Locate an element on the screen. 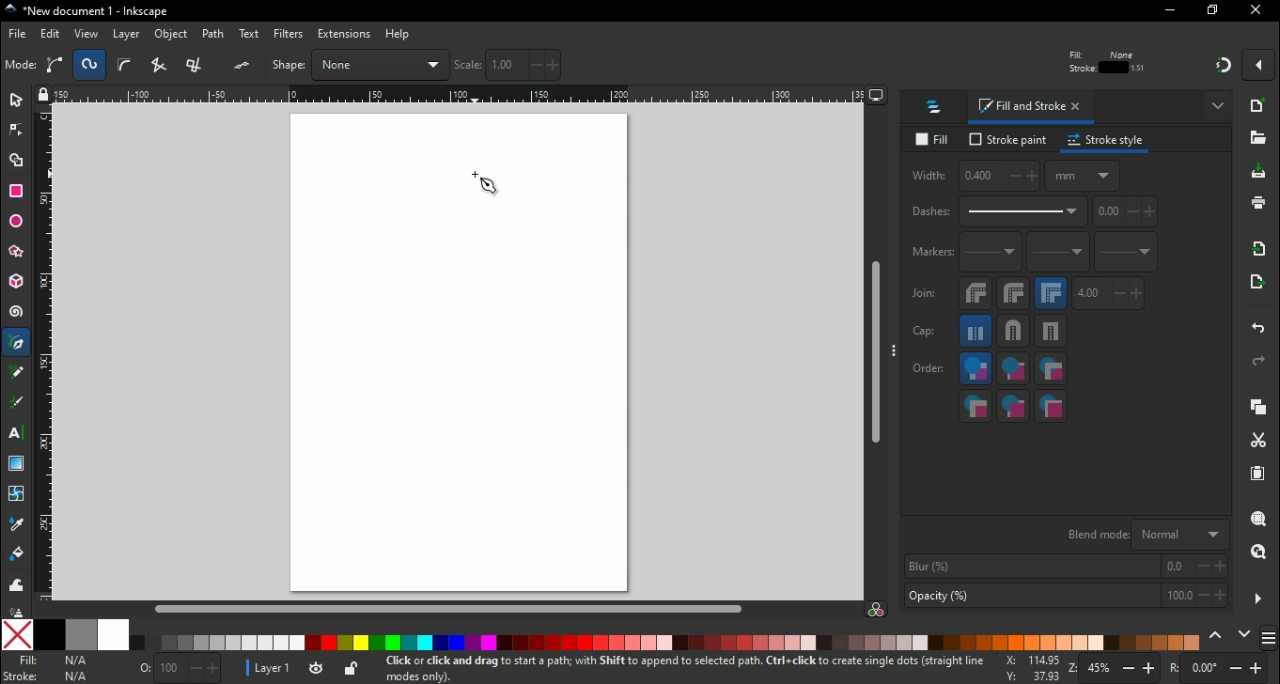 The height and width of the screenshot is (684, 1280). color palette is located at coordinates (664, 643).